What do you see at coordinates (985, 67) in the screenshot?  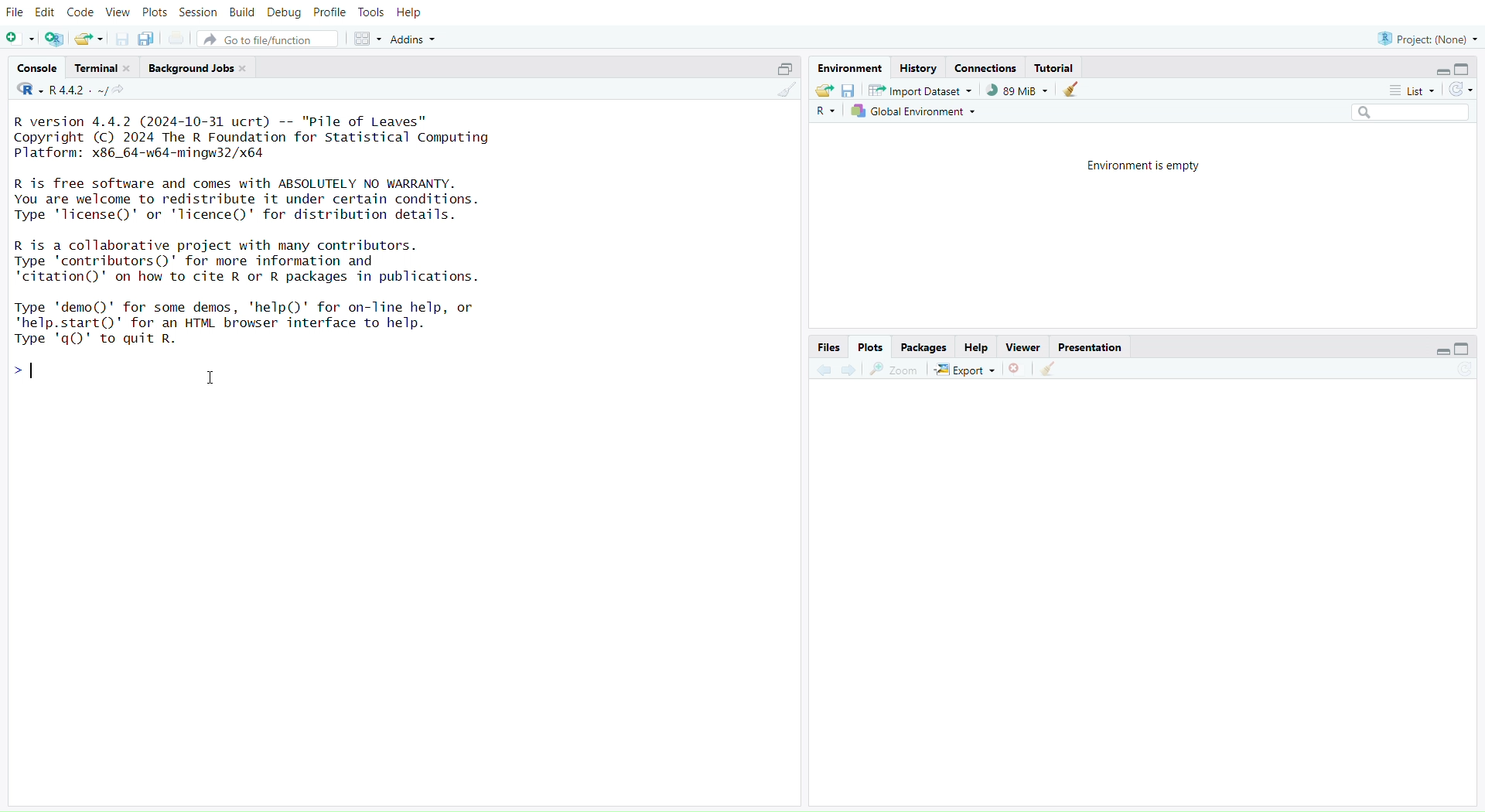 I see `Connections` at bounding box center [985, 67].